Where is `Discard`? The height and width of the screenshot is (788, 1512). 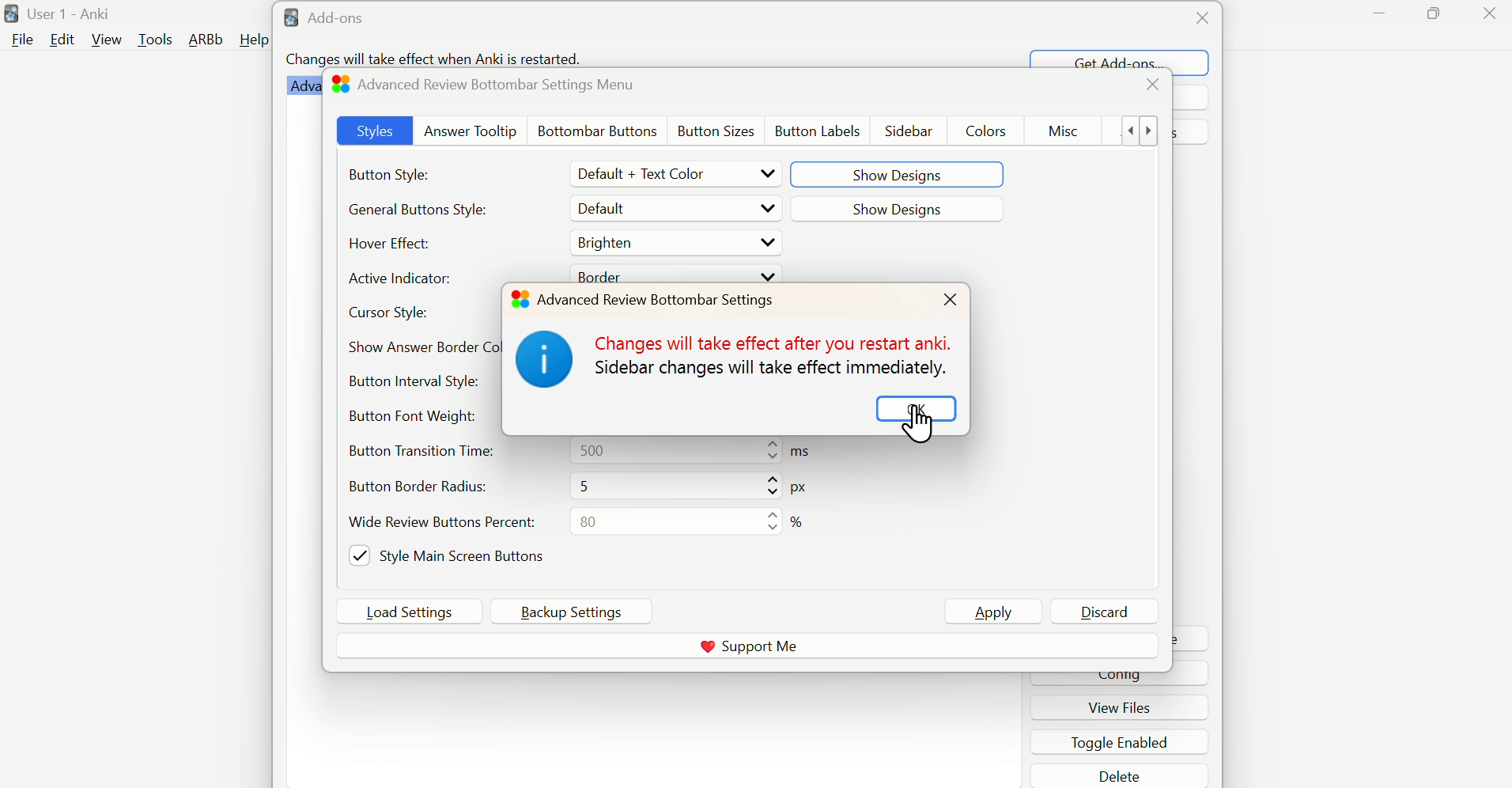 Discard is located at coordinates (1098, 610).